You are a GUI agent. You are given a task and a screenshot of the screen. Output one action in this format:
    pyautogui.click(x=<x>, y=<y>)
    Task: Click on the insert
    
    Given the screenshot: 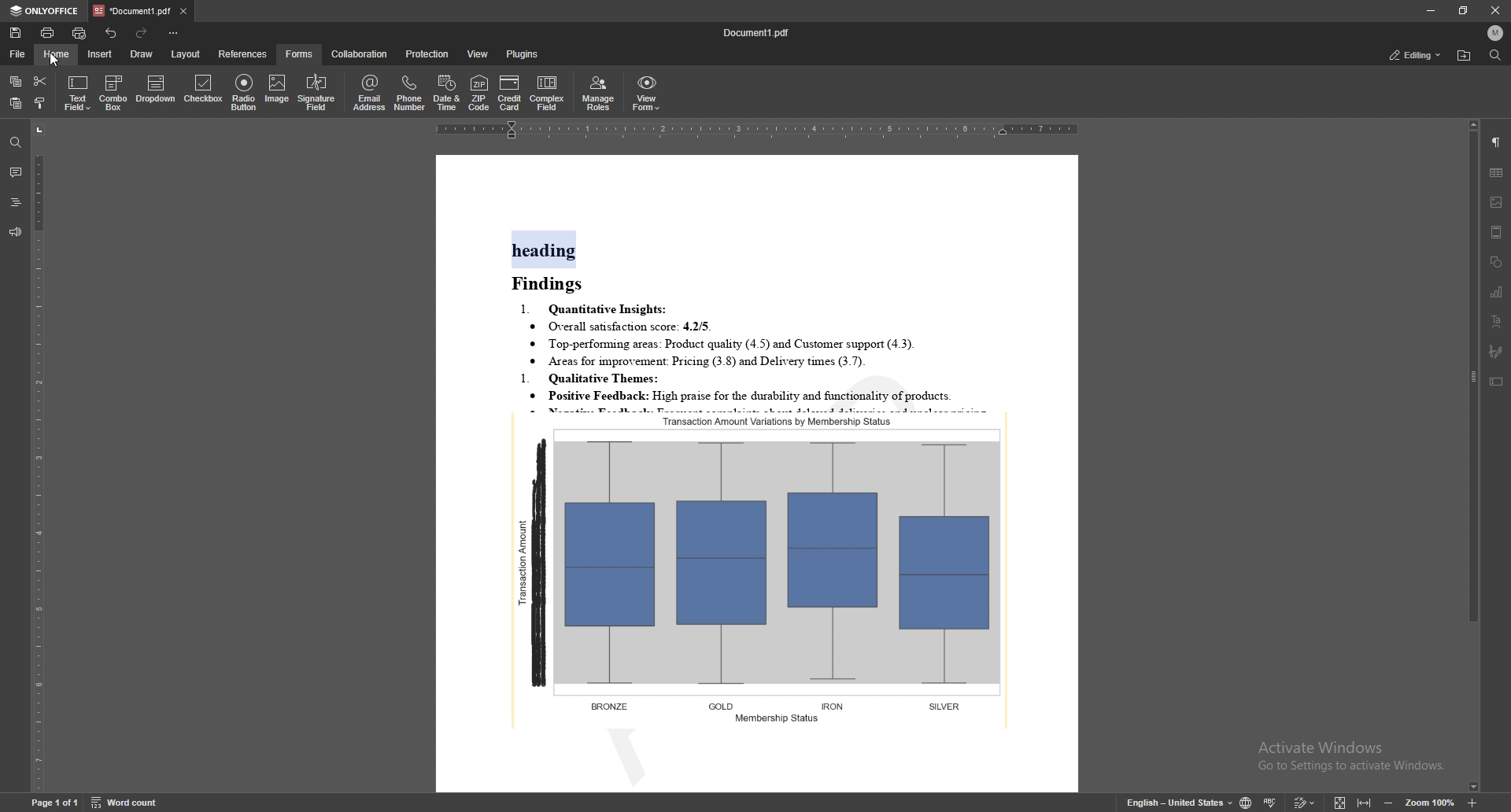 What is the action you would take?
    pyautogui.click(x=99, y=54)
    